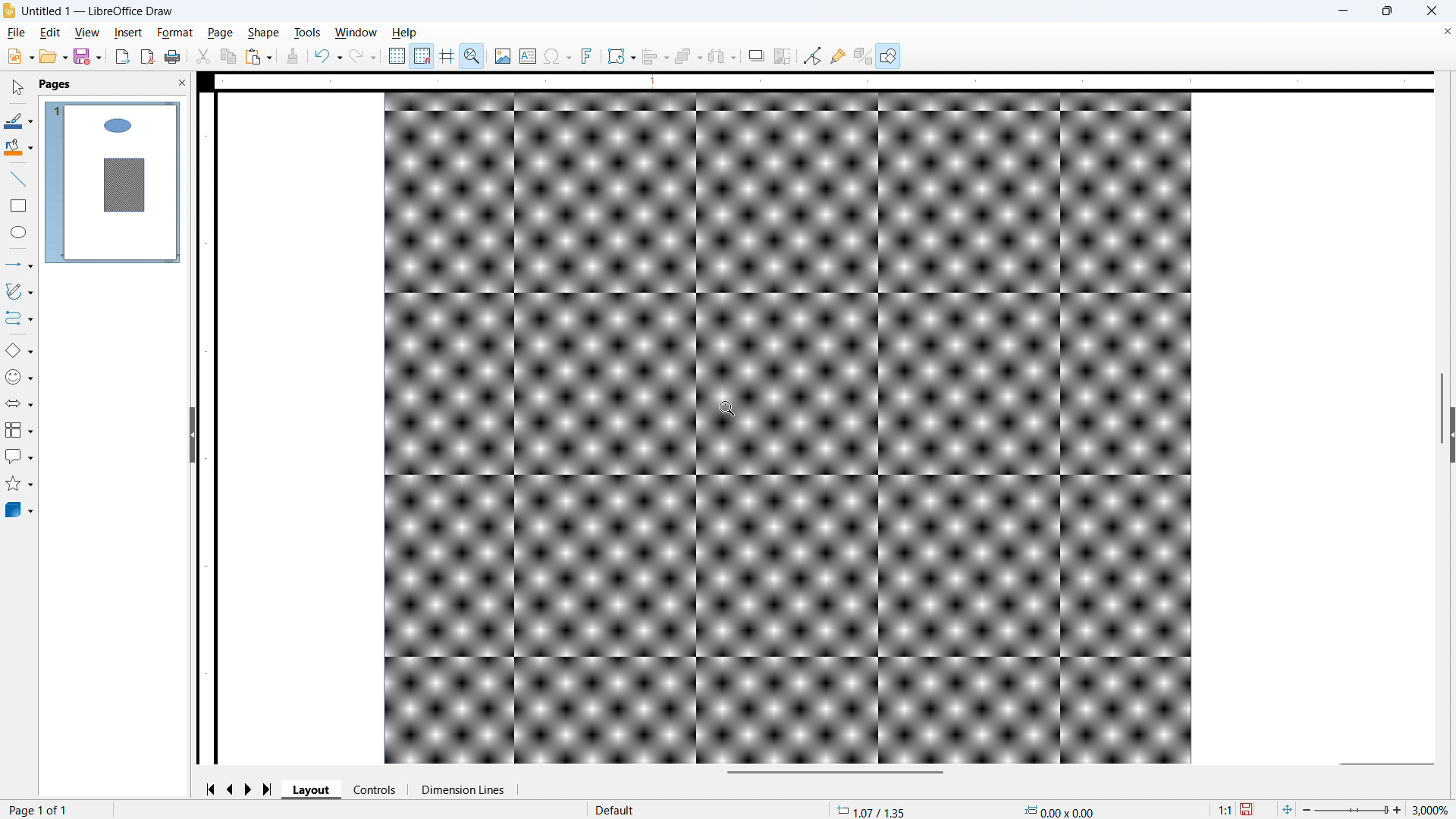 The height and width of the screenshot is (819, 1456). I want to click on page , so click(220, 33).